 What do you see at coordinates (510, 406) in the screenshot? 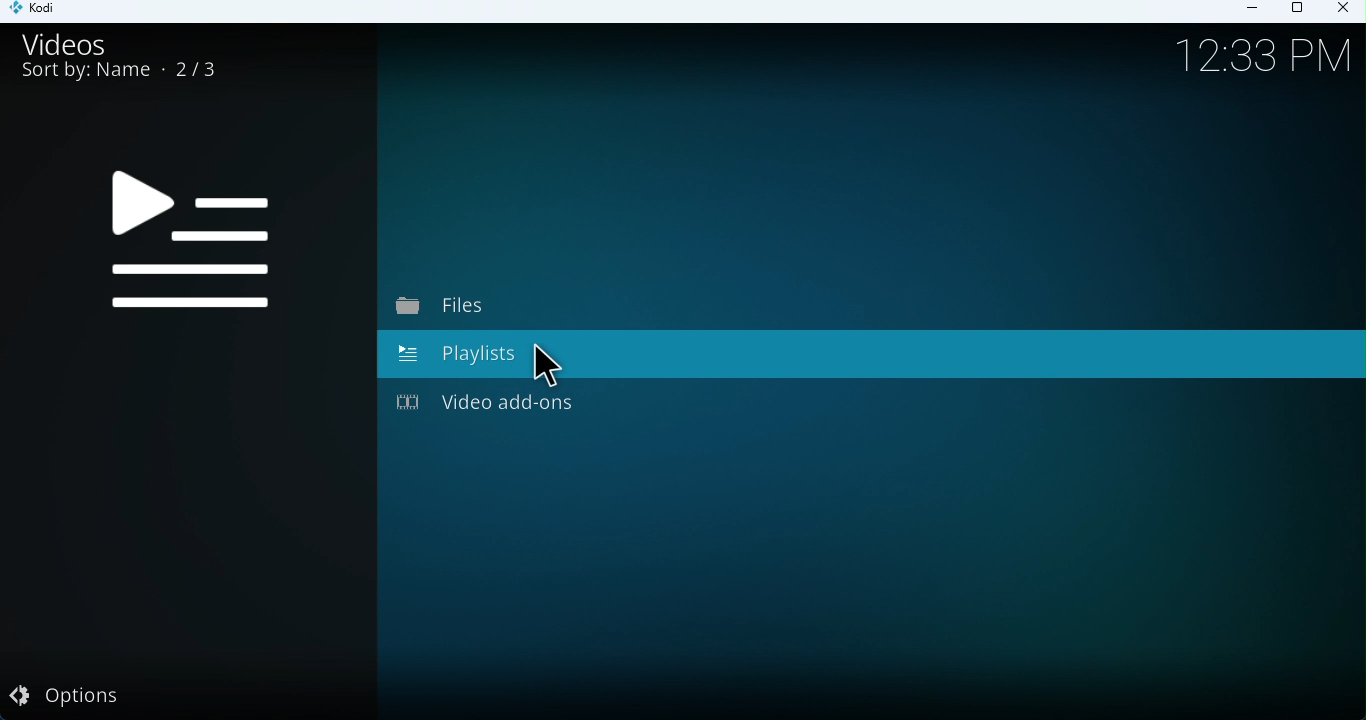
I see `Video add-ons` at bounding box center [510, 406].